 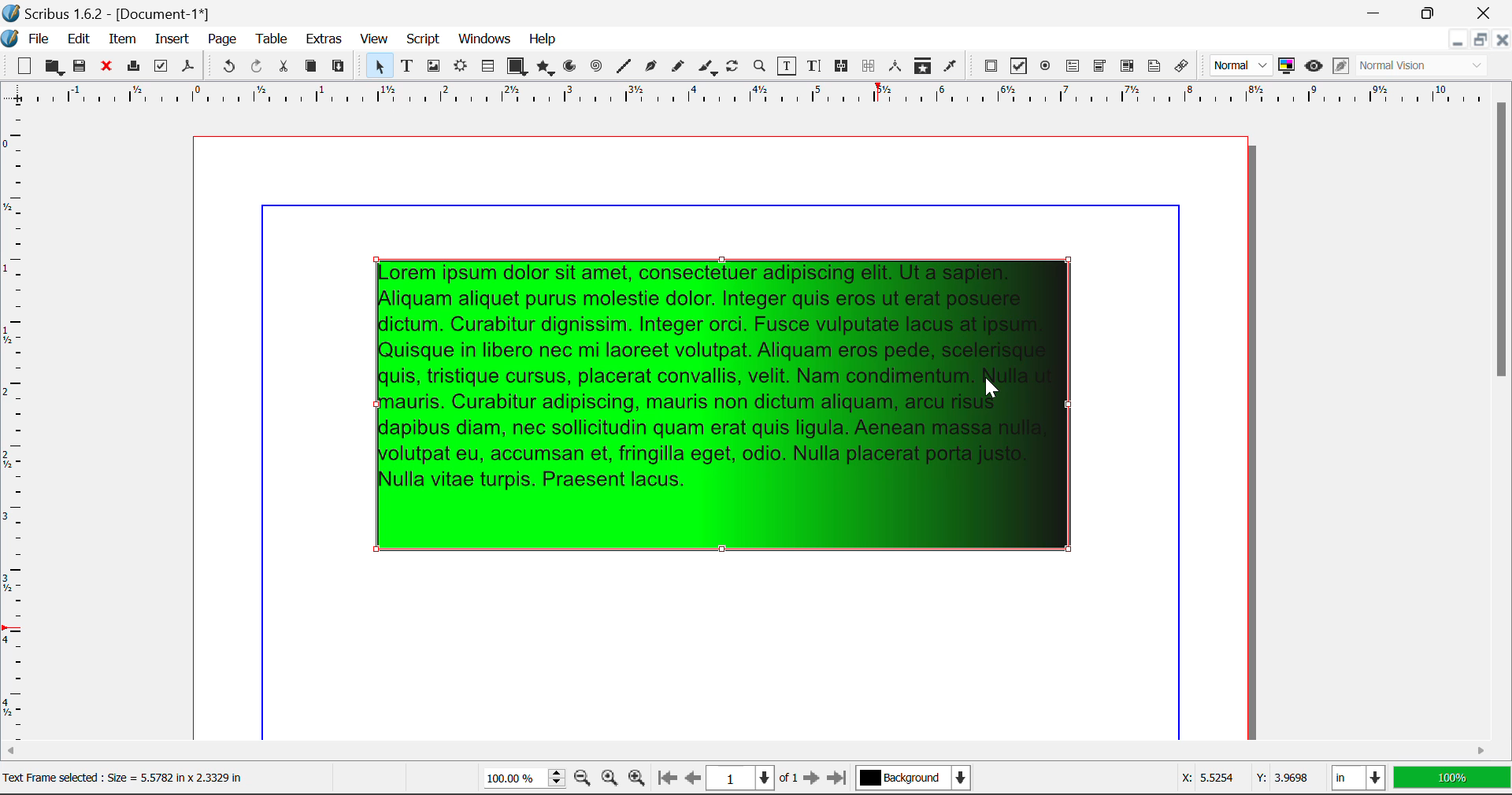 I want to click on Zoom 100%, so click(x=524, y=780).